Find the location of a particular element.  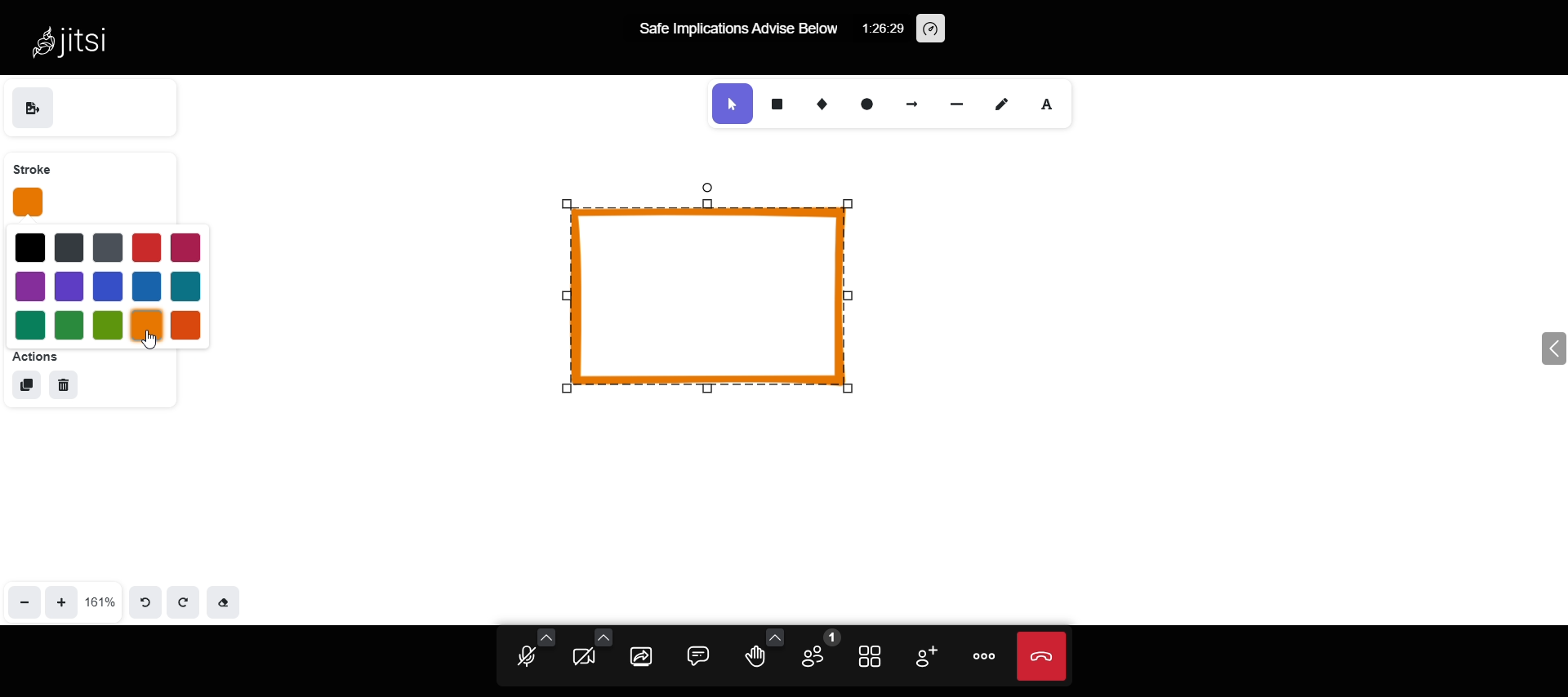

end call is located at coordinates (1044, 655).